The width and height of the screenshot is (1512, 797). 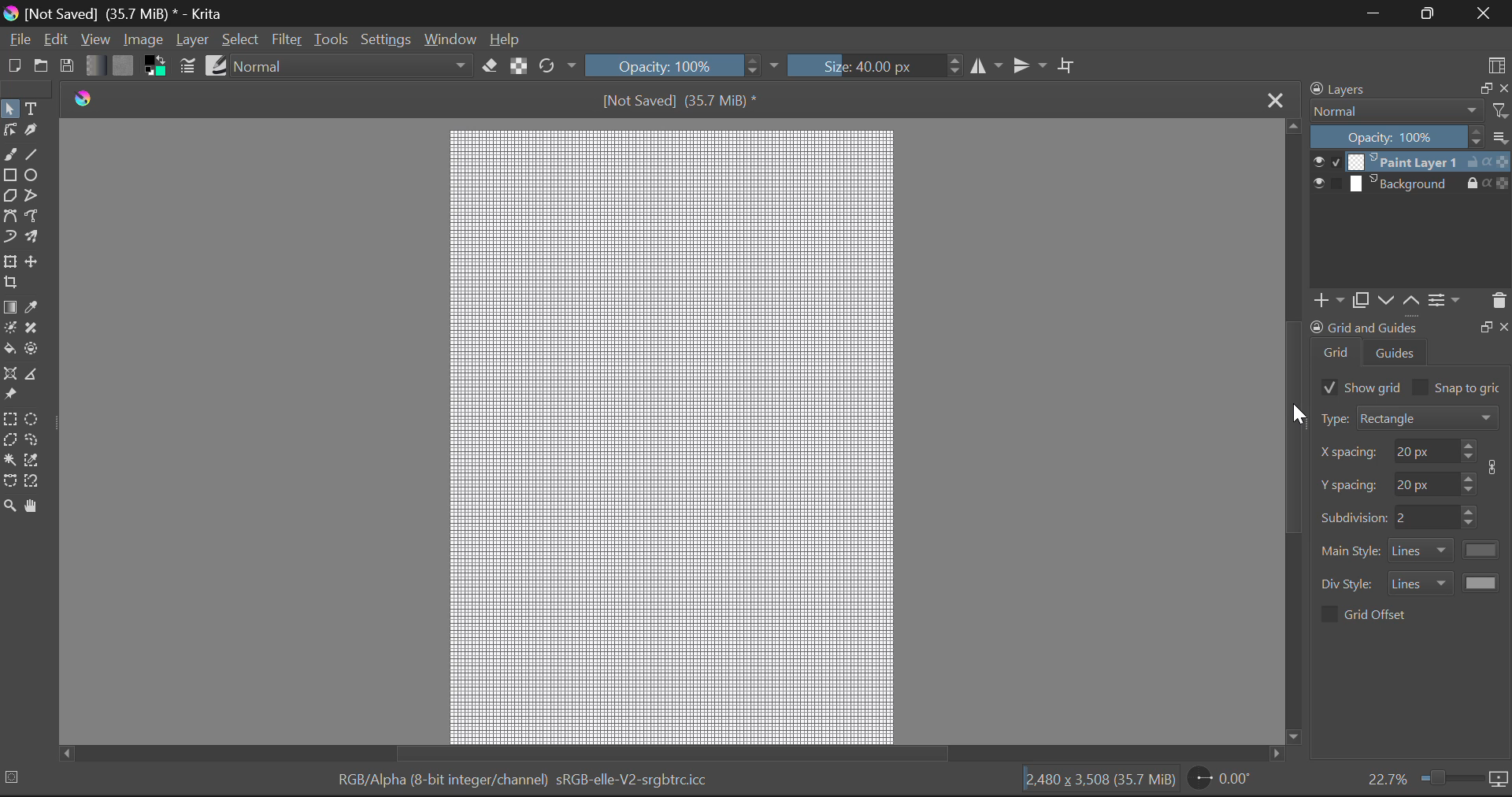 I want to click on Polyline, so click(x=37, y=197).